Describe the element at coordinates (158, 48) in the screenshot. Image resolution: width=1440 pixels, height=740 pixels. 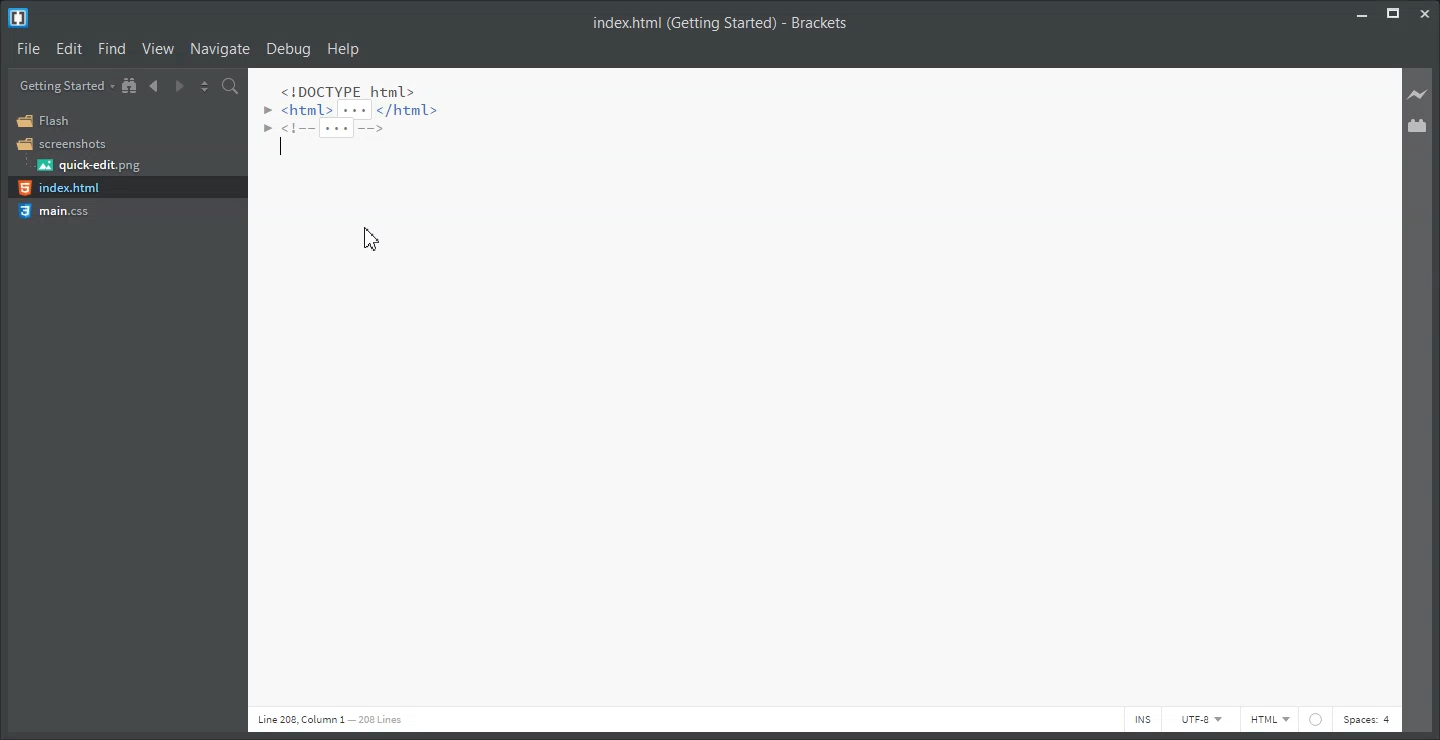
I see `View` at that location.